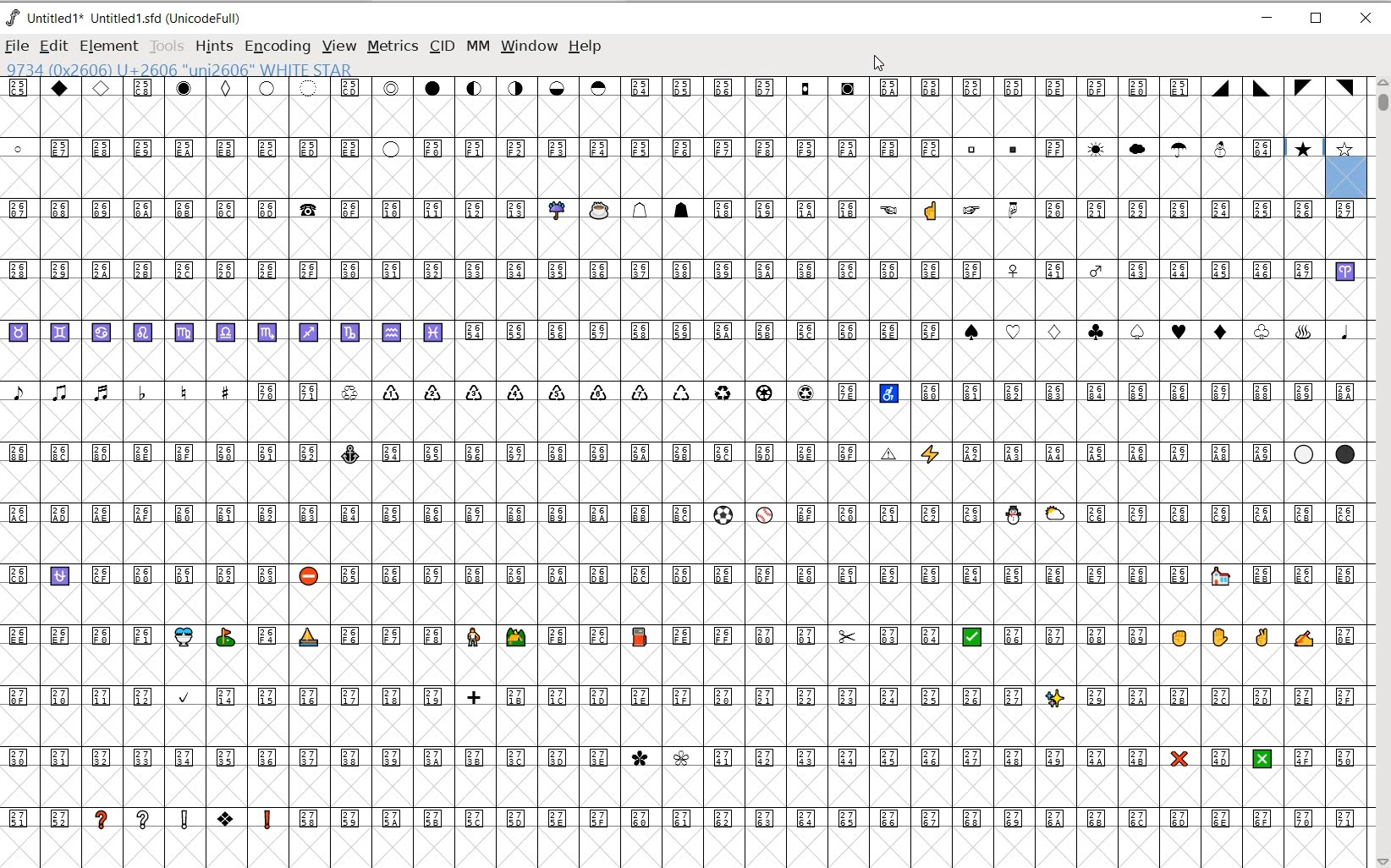 Image resolution: width=1391 pixels, height=868 pixels. Describe the element at coordinates (442, 47) in the screenshot. I see `CID` at that location.